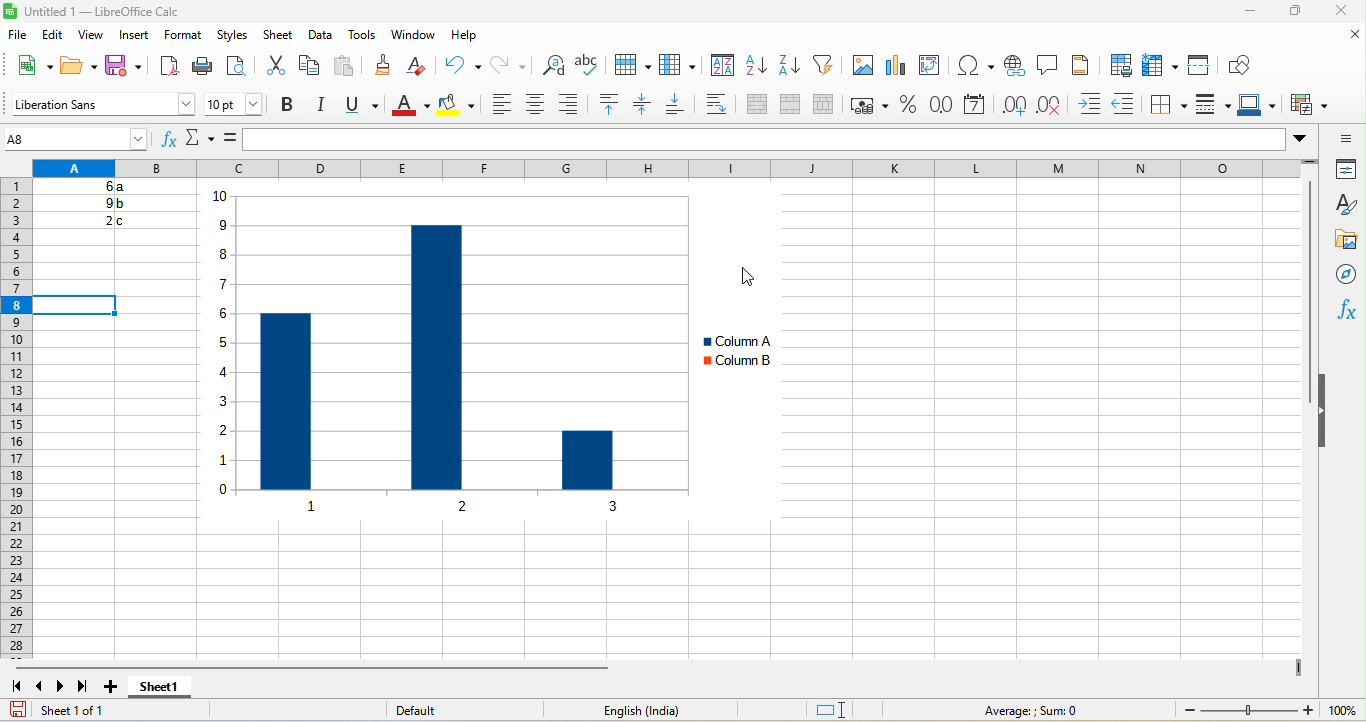  Describe the element at coordinates (316, 64) in the screenshot. I see `copy` at that location.